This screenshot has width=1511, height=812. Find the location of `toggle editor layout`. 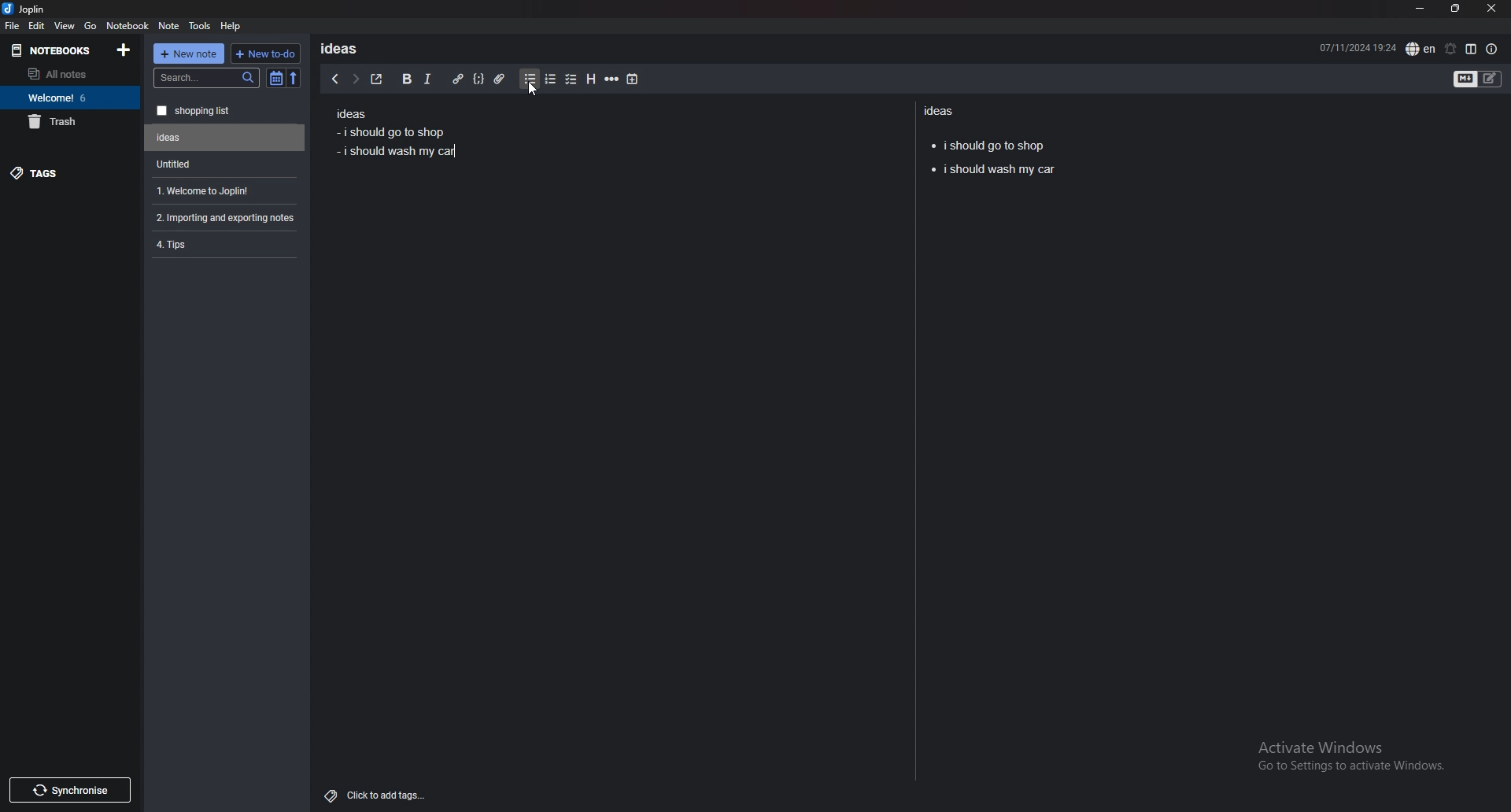

toggle editor layout is located at coordinates (1471, 49).